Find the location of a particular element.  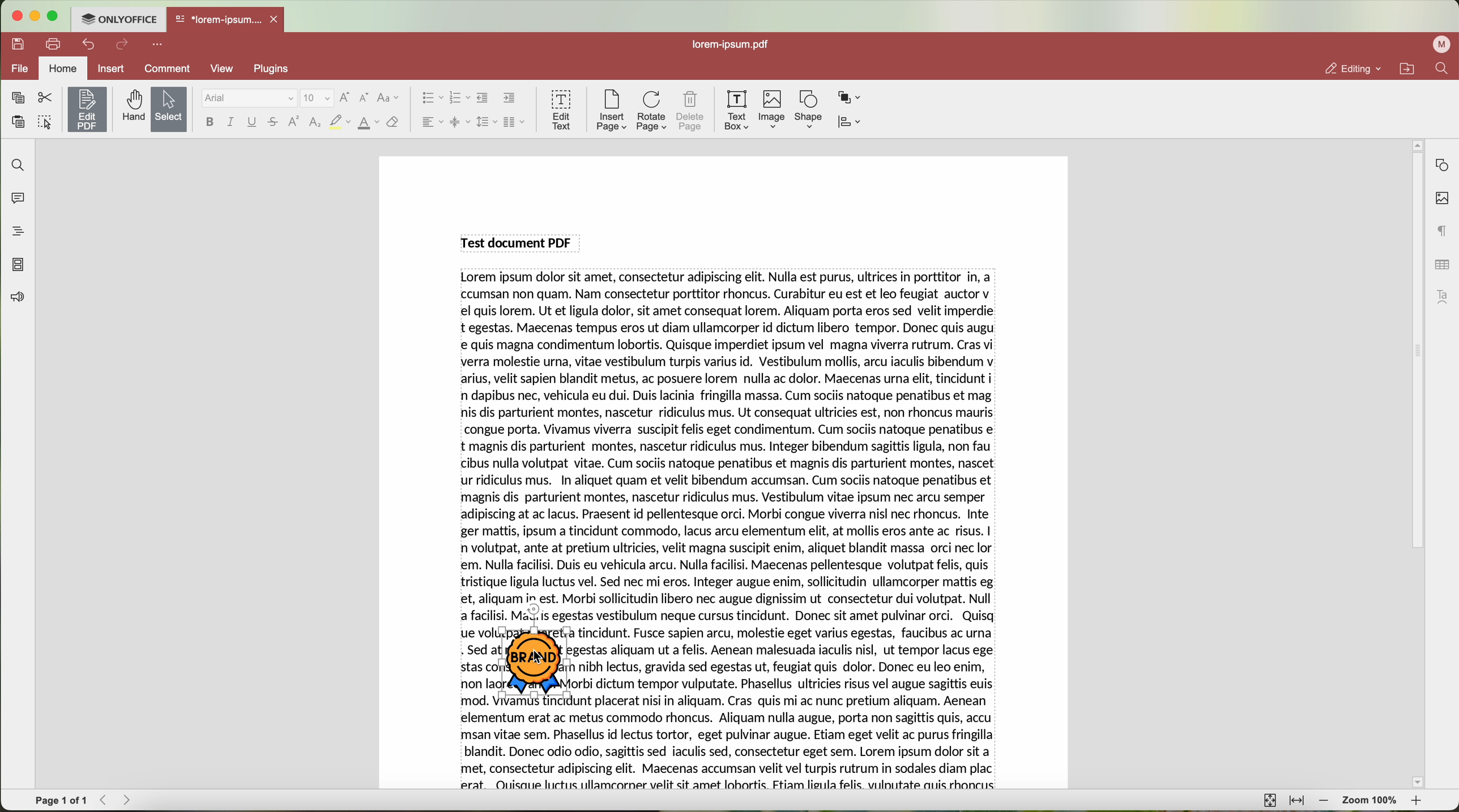

bullet list is located at coordinates (429, 99).